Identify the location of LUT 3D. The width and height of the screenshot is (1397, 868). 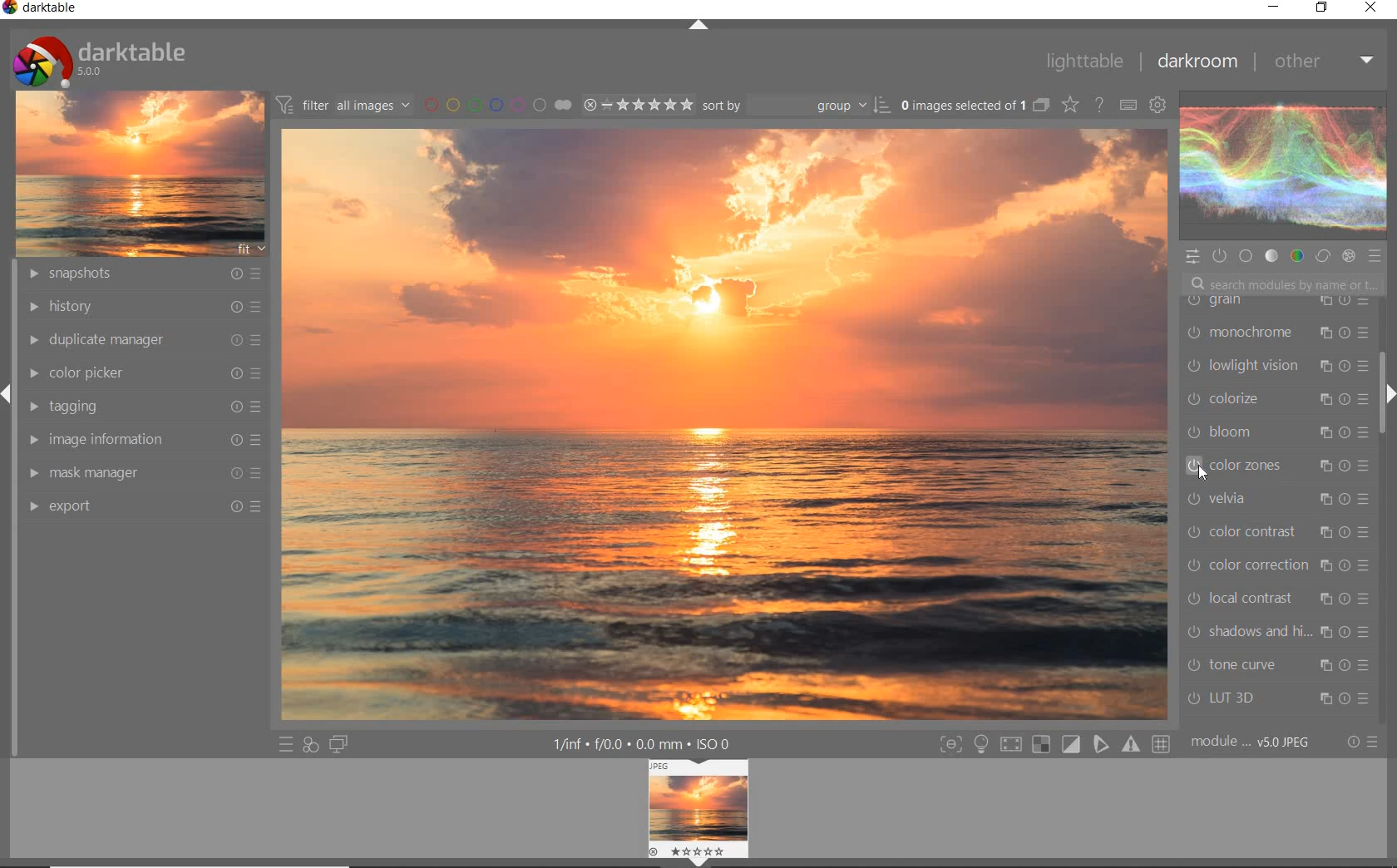
(1273, 699).